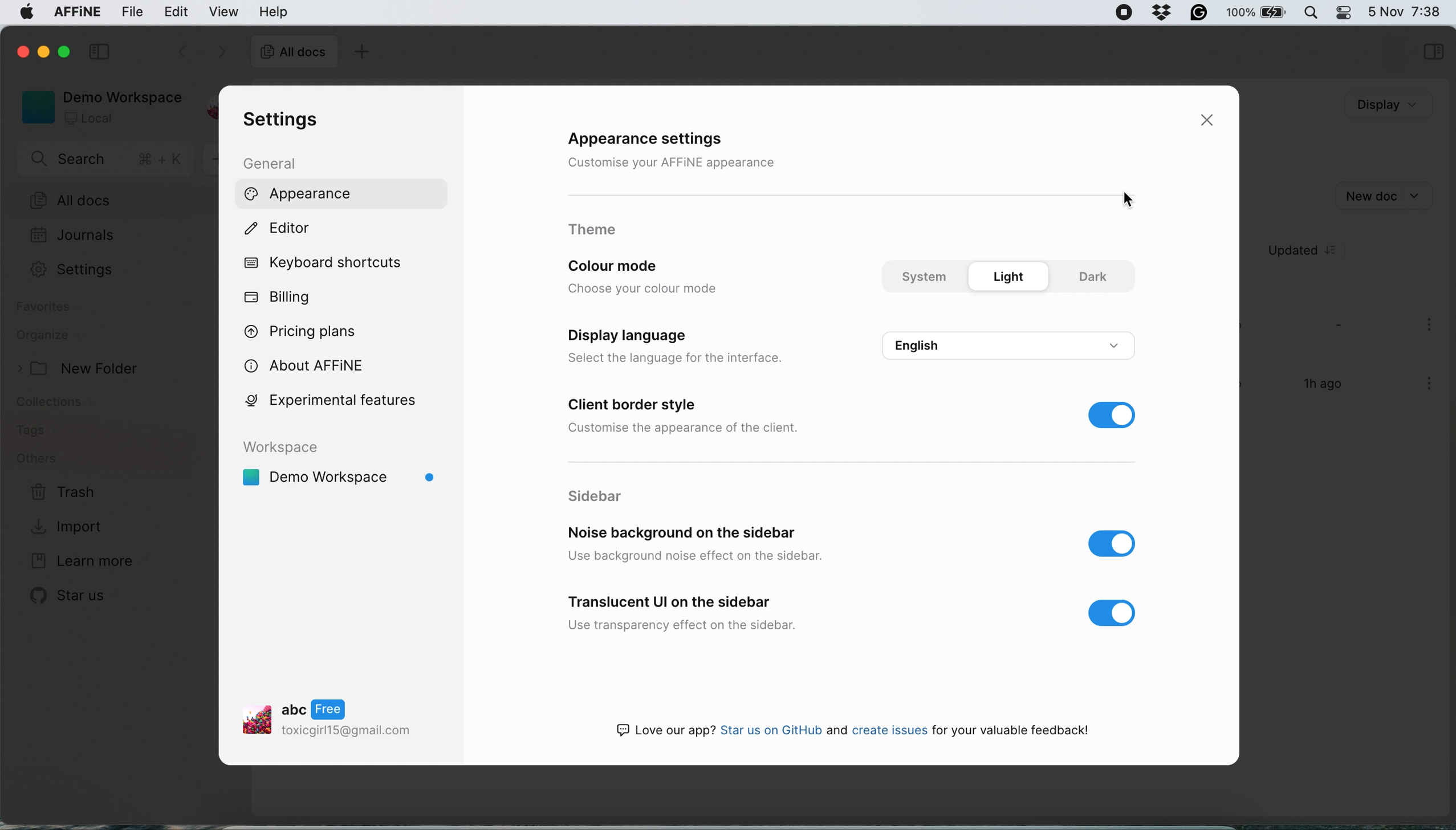 The image size is (1456, 830). What do you see at coordinates (343, 721) in the screenshot?
I see `profile` at bounding box center [343, 721].